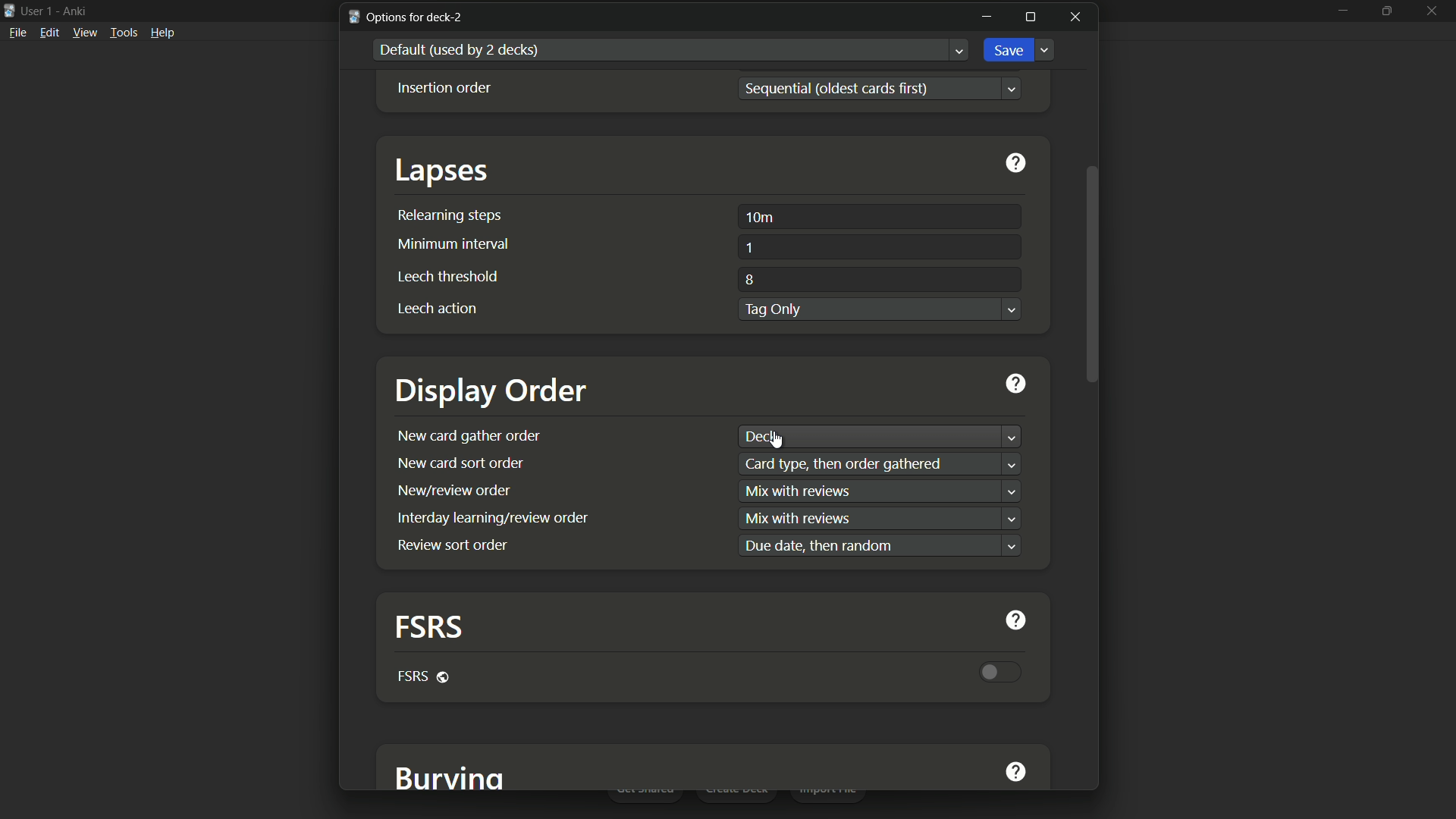 Image resolution: width=1456 pixels, height=819 pixels. Describe the element at coordinates (845, 465) in the screenshot. I see `text` at that location.